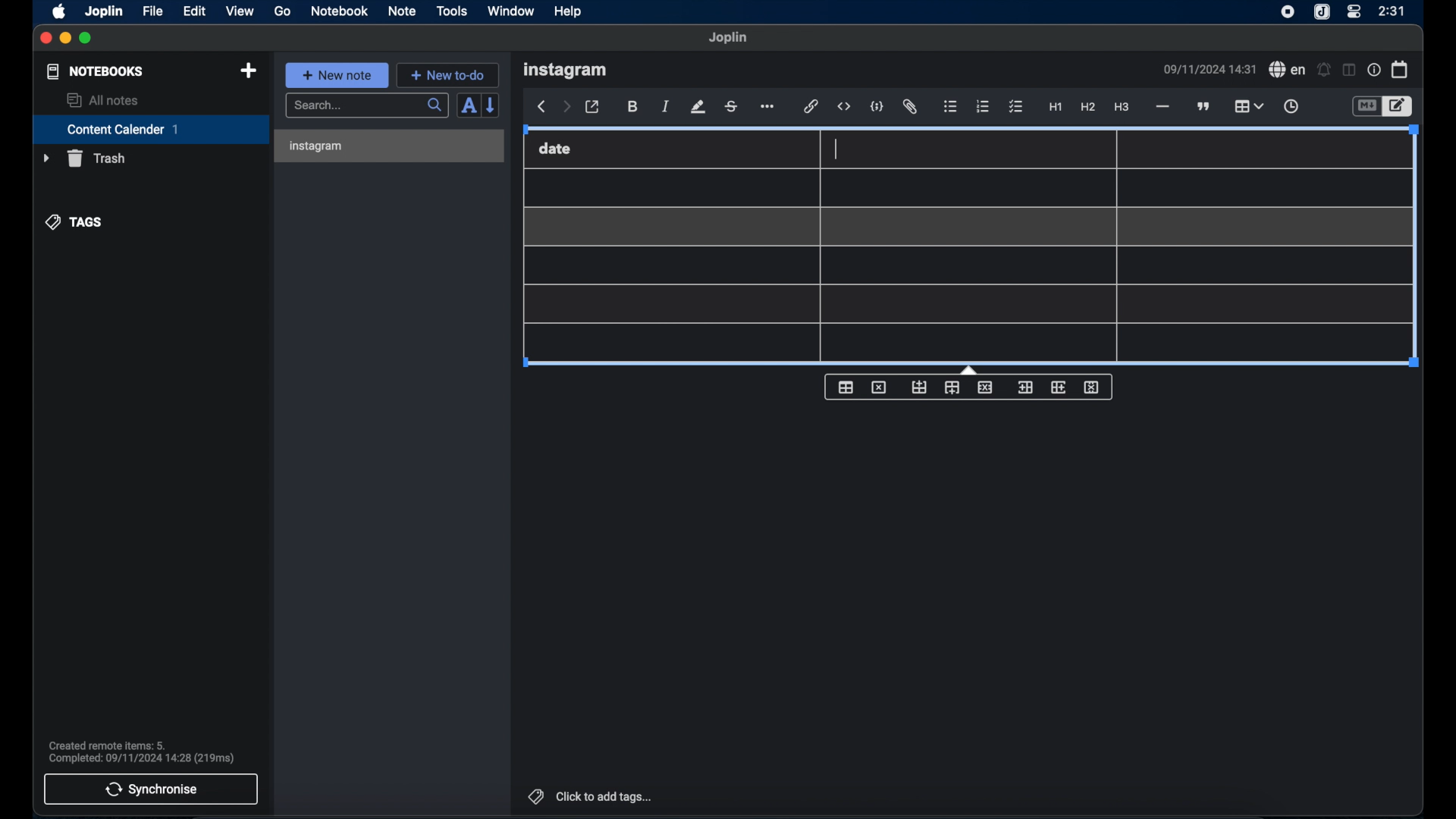  I want to click on trash, so click(84, 158).